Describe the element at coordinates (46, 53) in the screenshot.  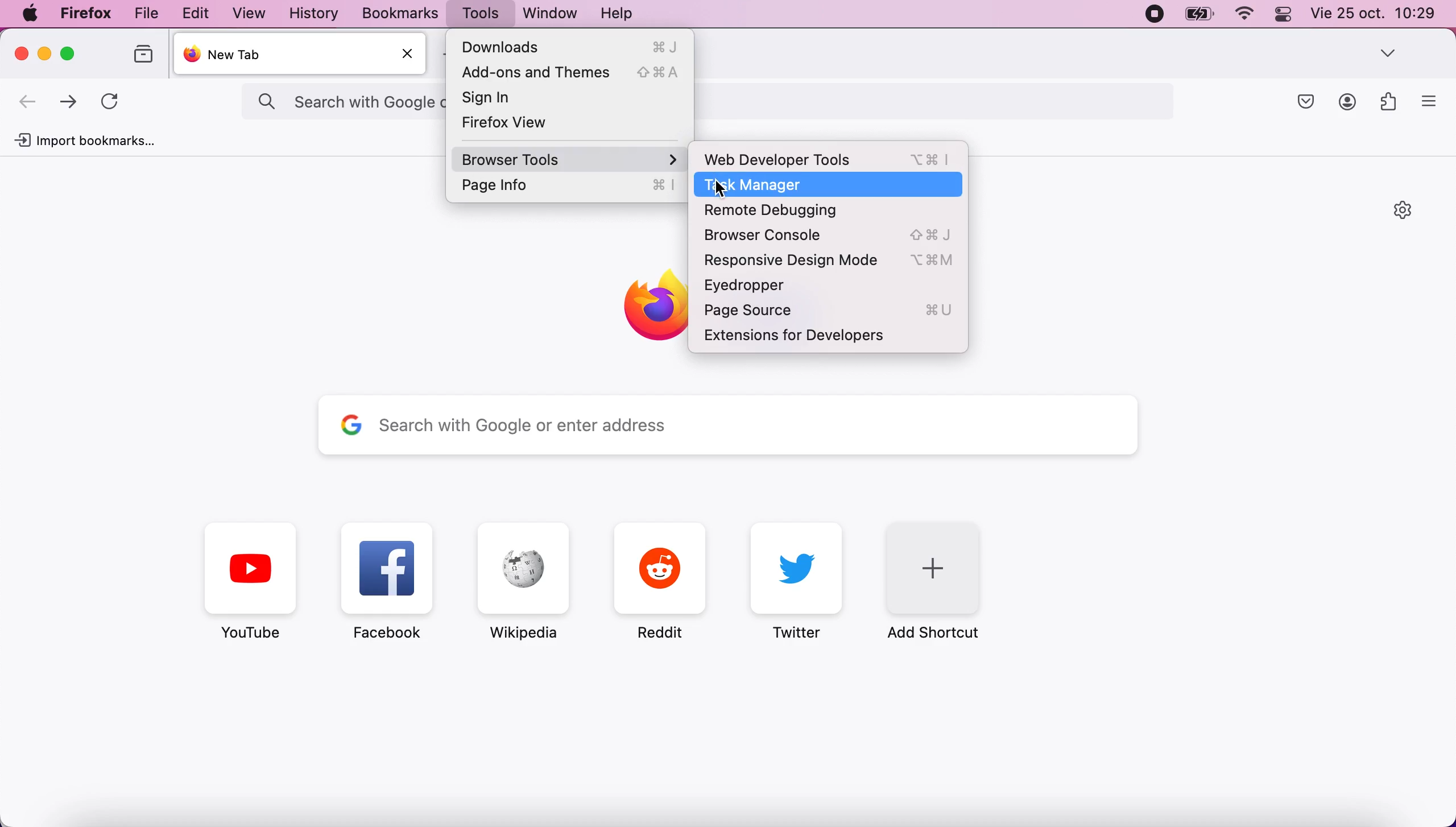
I see `Minimize` at that location.